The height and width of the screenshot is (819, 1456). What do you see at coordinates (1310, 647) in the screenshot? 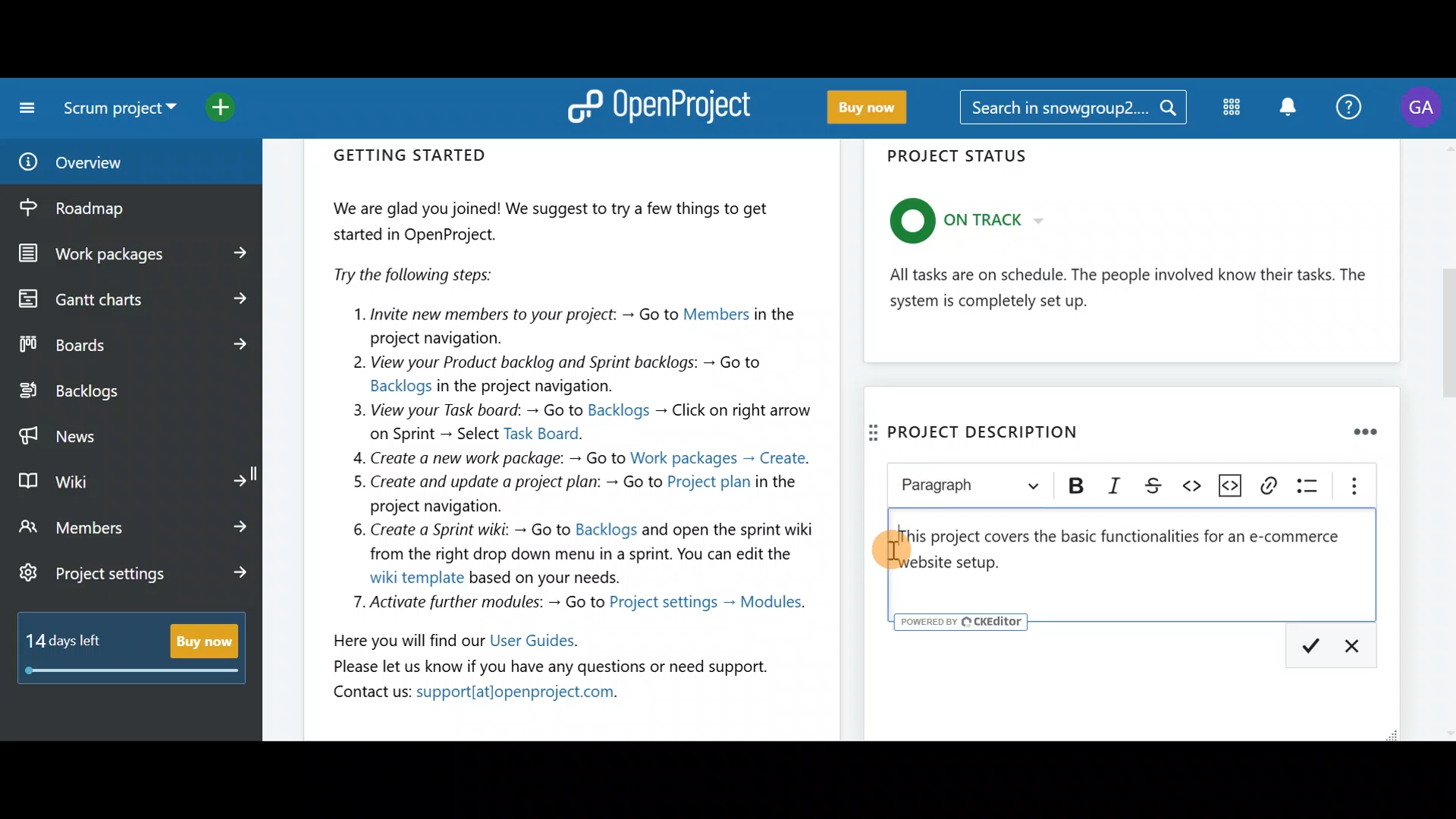
I see `Description: Save` at bounding box center [1310, 647].